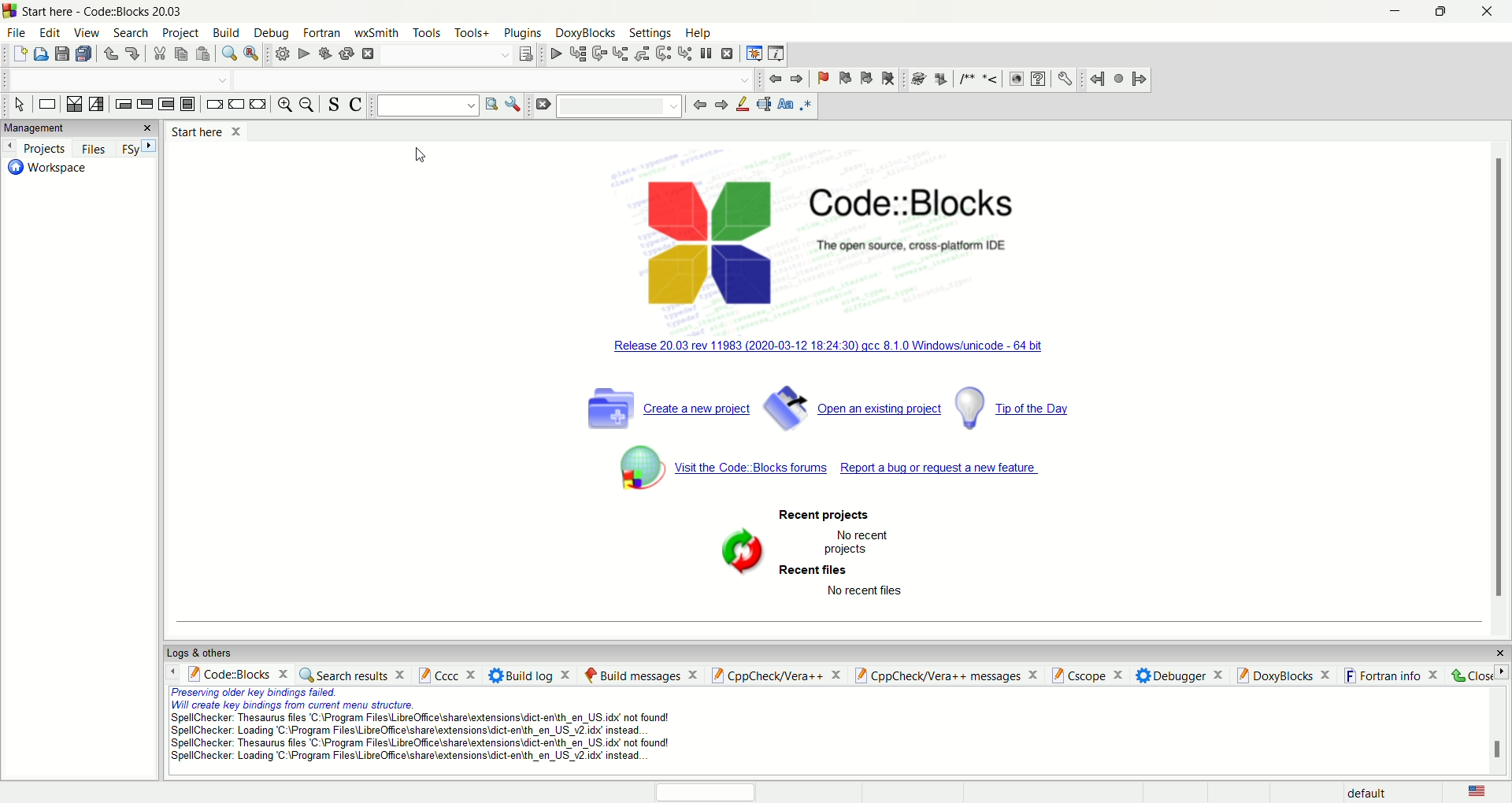  I want to click on replace, so click(254, 54).